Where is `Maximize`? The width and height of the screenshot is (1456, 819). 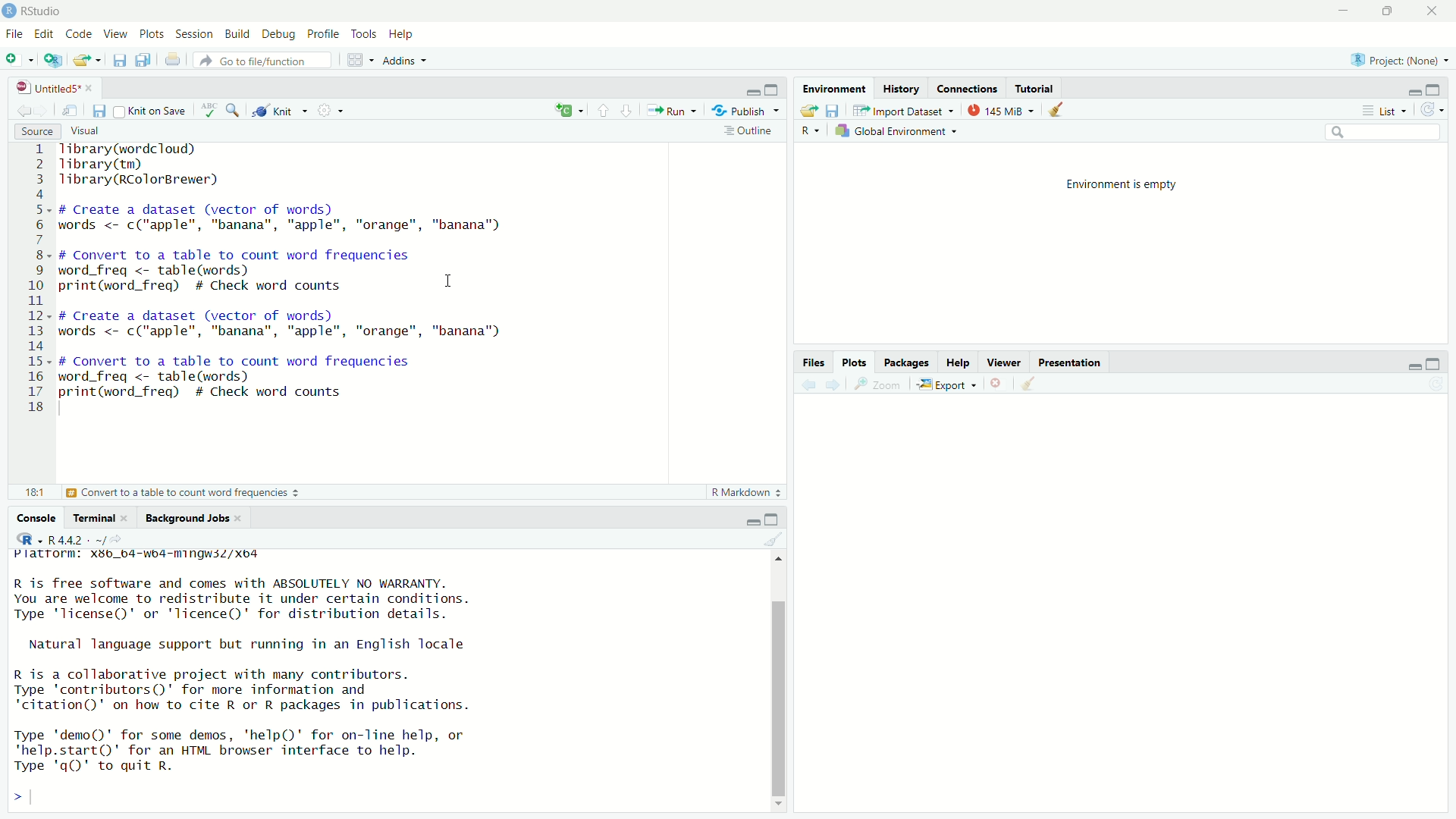
Maximize is located at coordinates (774, 90).